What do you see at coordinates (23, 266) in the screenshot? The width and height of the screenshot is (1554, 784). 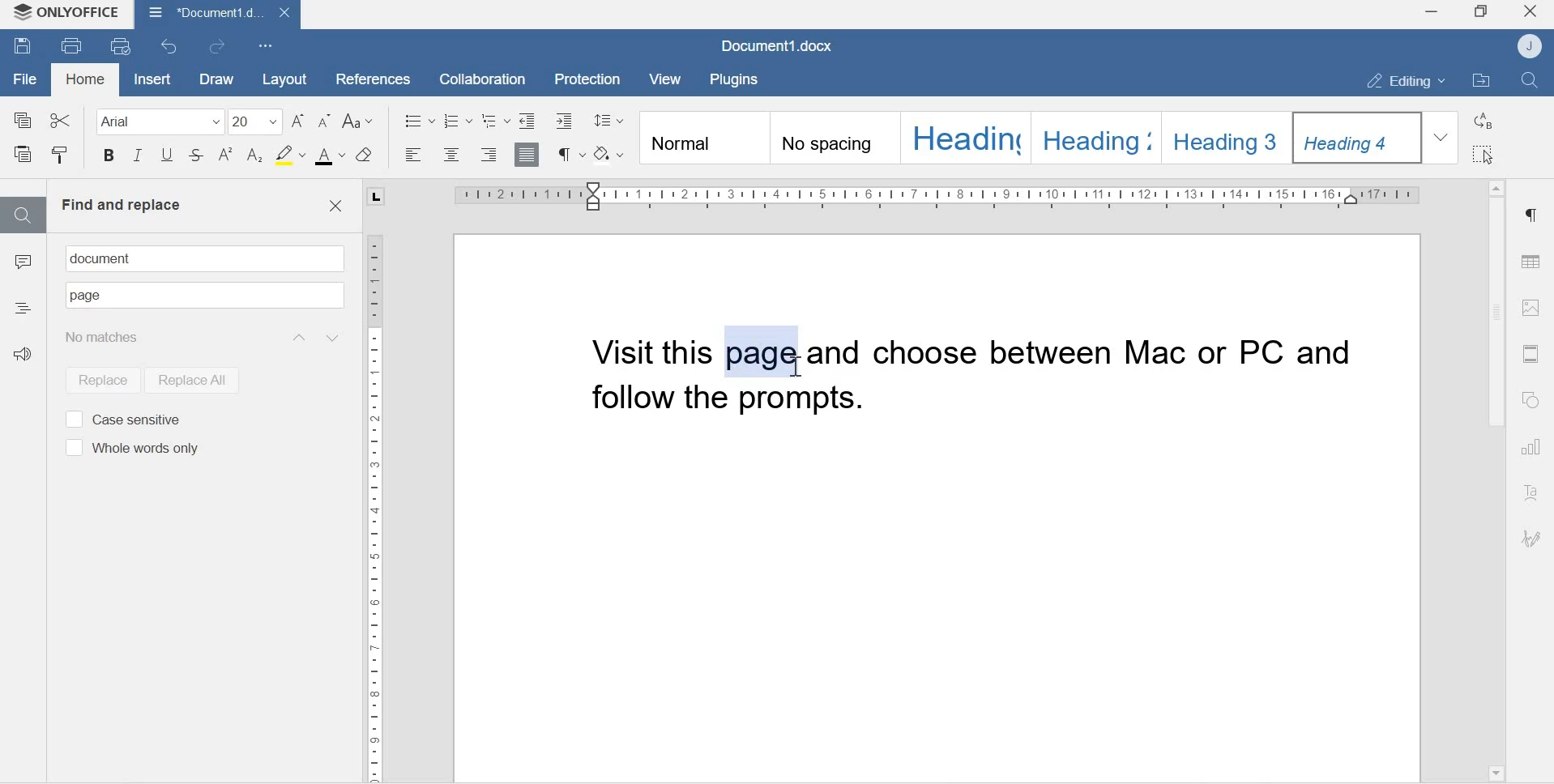 I see `Comments` at bounding box center [23, 266].